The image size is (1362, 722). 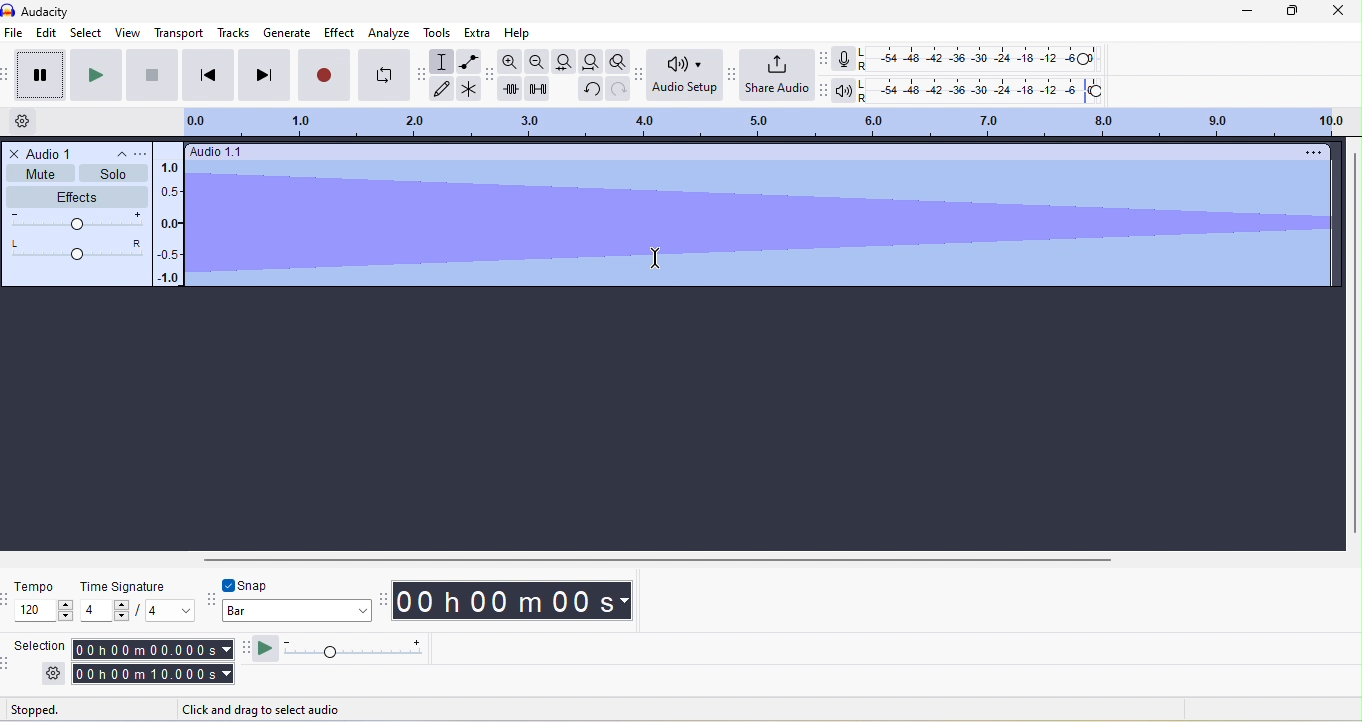 I want to click on track name, so click(x=268, y=151).